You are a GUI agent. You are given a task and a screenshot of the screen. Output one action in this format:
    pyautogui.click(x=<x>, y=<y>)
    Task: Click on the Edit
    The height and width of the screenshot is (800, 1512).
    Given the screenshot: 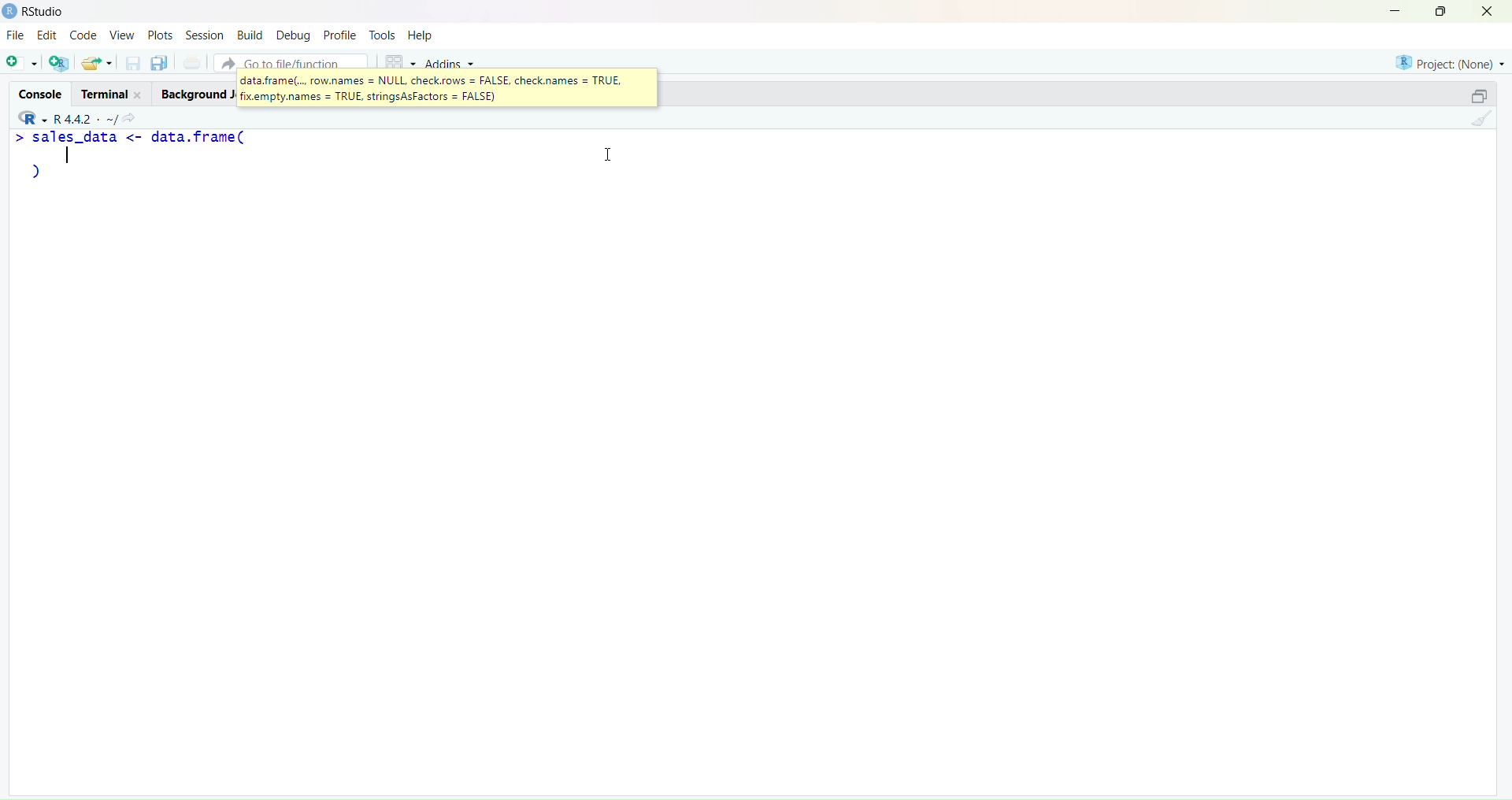 What is the action you would take?
    pyautogui.click(x=46, y=37)
    